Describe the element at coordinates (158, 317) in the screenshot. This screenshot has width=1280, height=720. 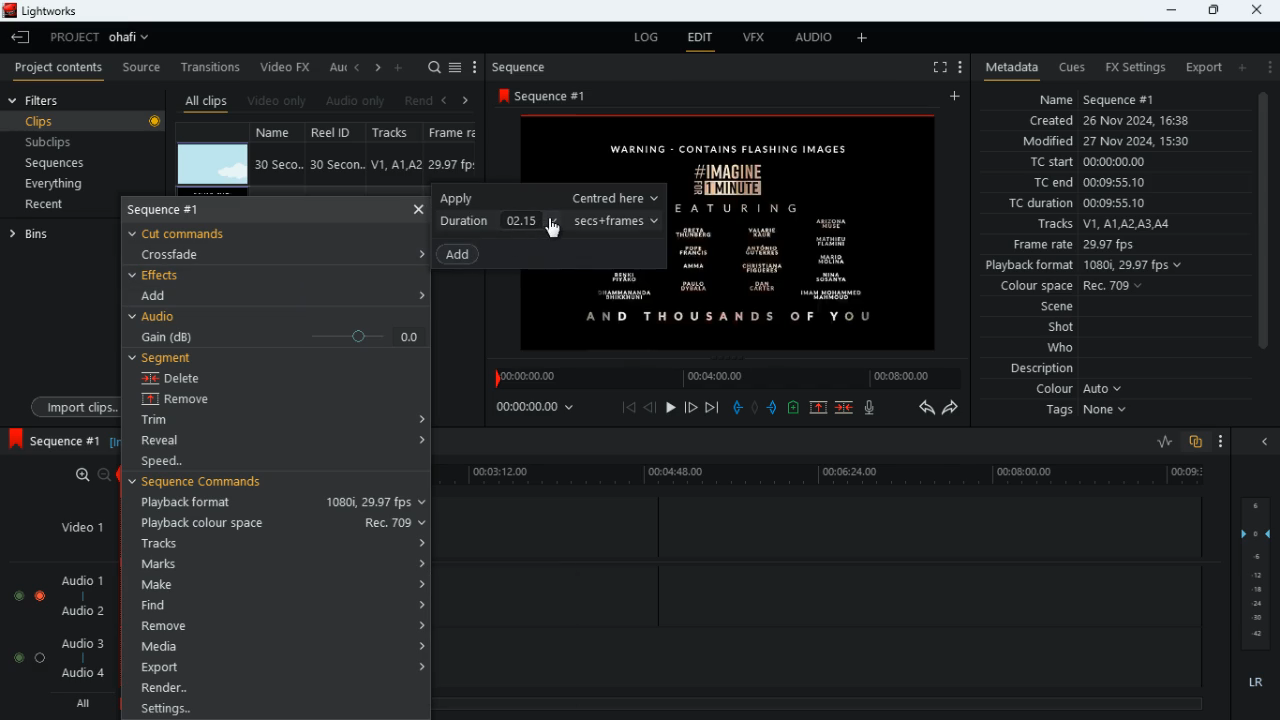
I see `audio` at that location.